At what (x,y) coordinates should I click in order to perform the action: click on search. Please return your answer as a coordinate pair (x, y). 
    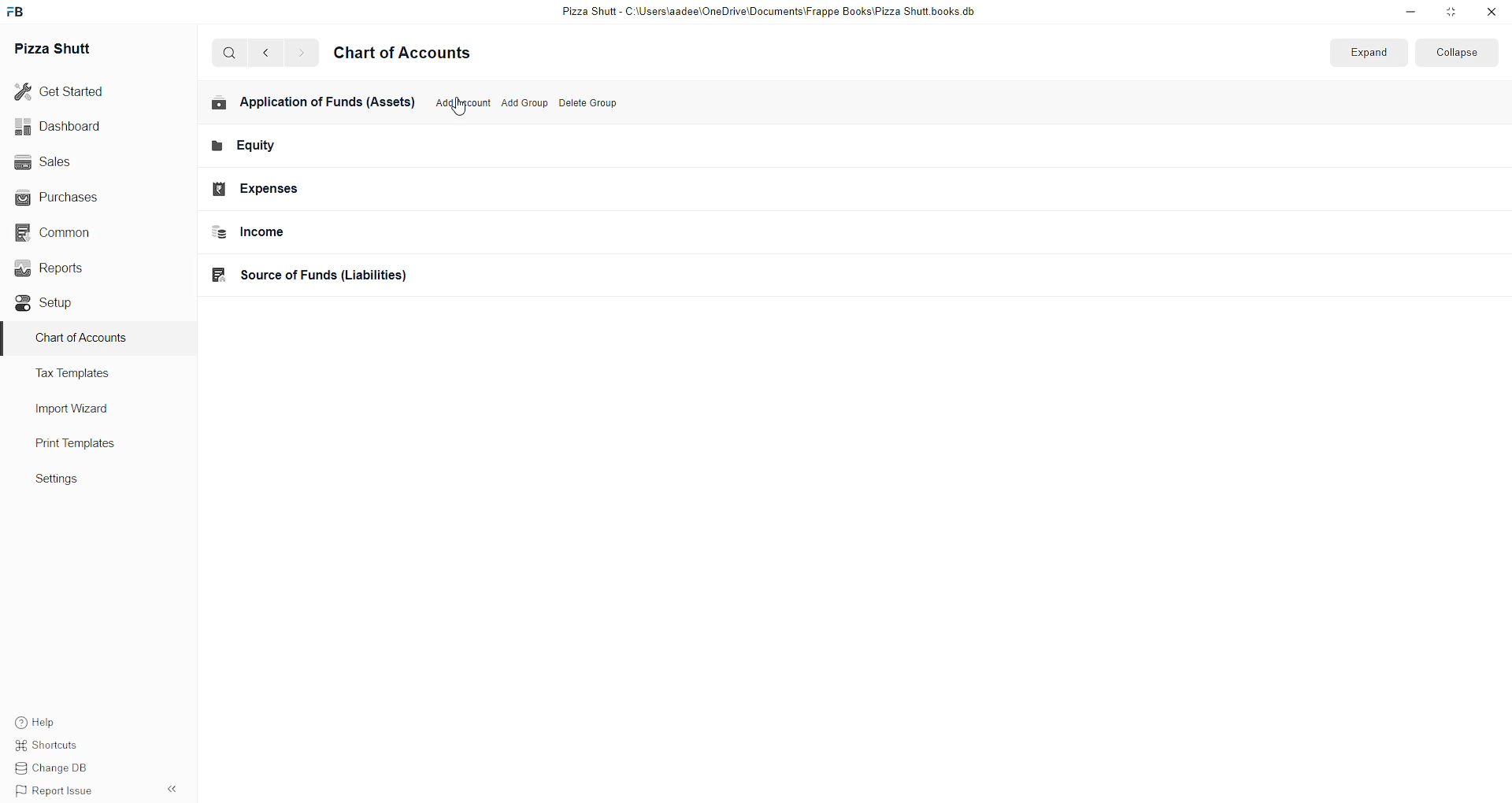
    Looking at the image, I should click on (230, 54).